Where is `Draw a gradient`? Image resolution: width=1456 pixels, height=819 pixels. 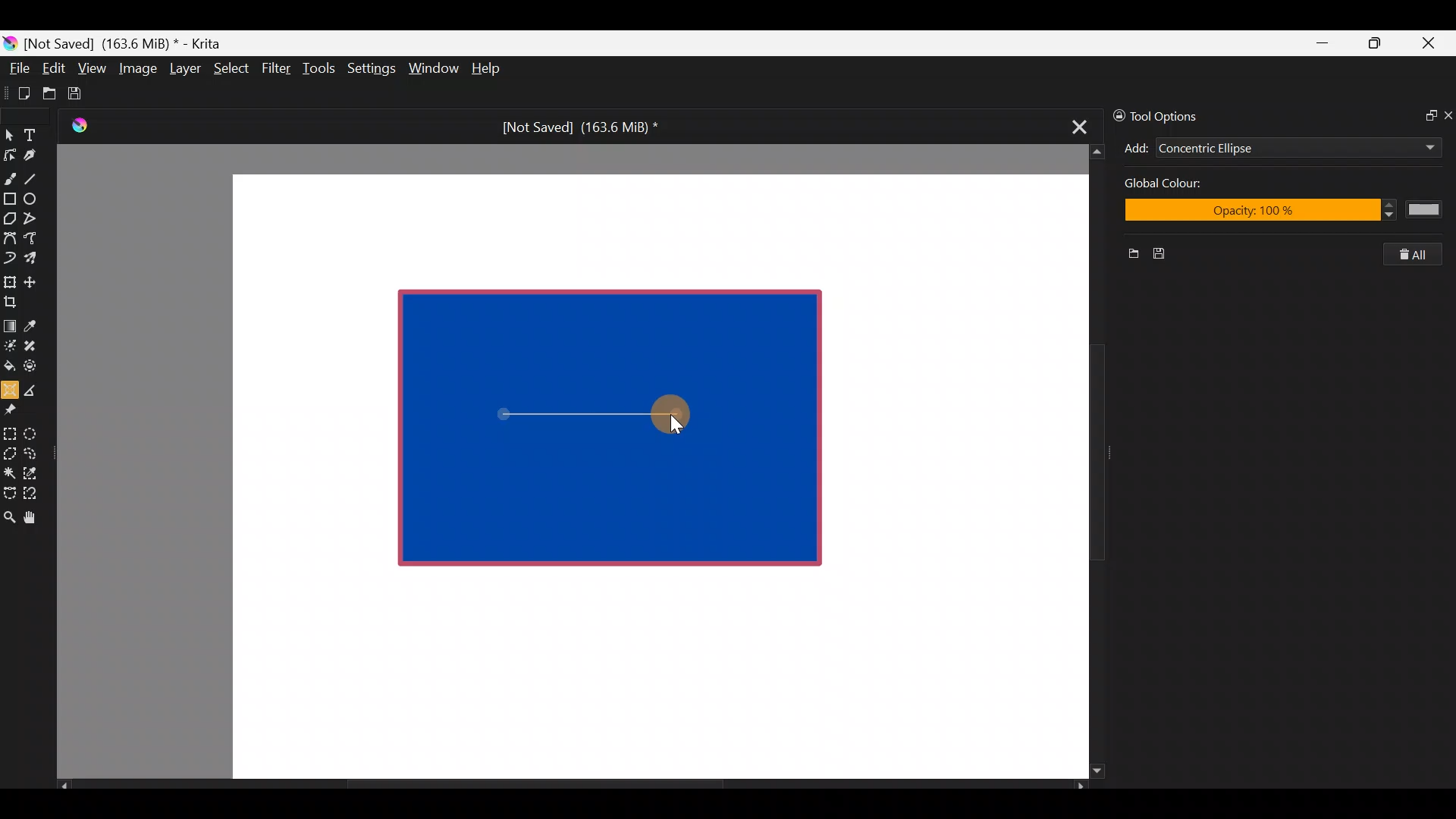
Draw a gradient is located at coordinates (9, 322).